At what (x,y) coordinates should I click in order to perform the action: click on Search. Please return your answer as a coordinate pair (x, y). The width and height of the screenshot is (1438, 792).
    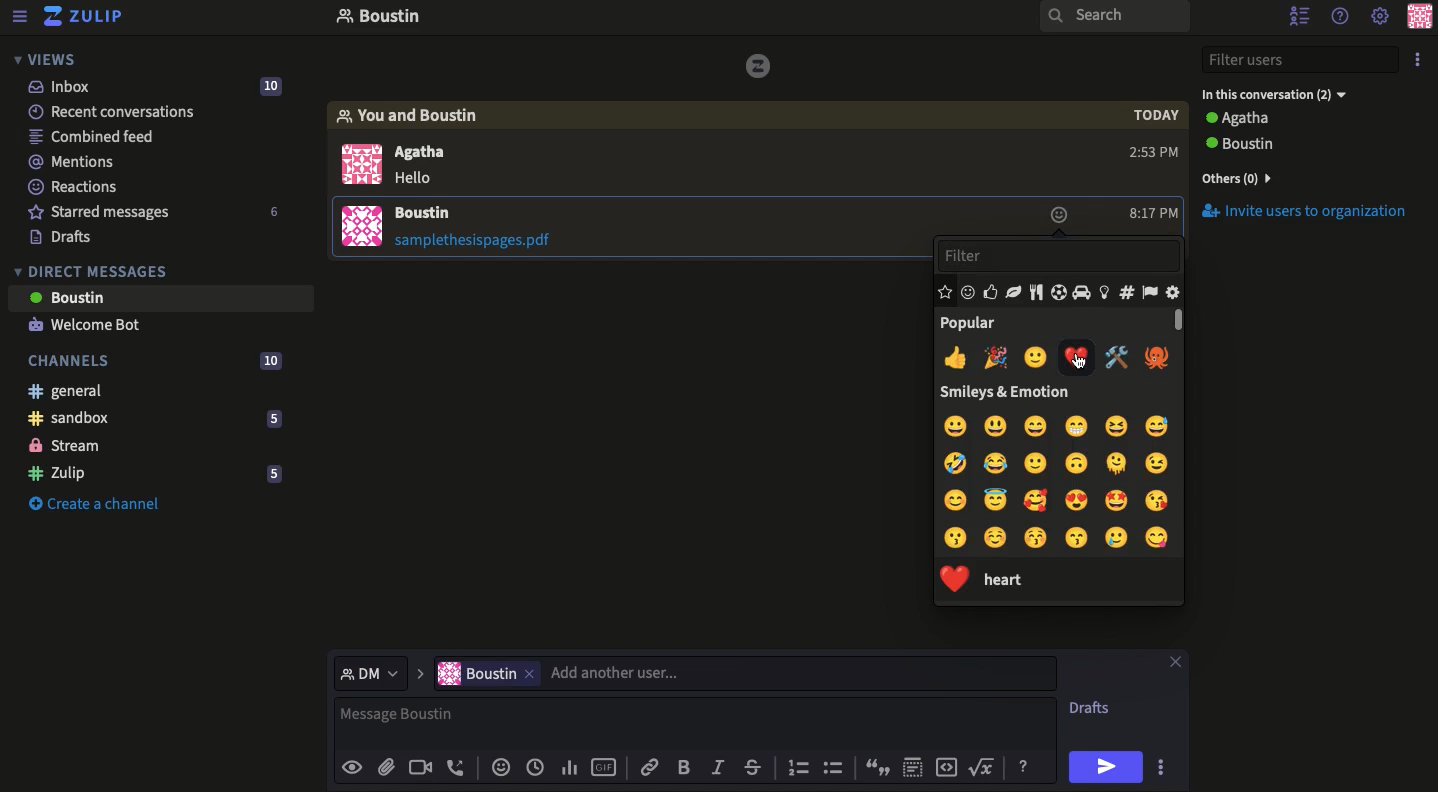
    Looking at the image, I should click on (1115, 18).